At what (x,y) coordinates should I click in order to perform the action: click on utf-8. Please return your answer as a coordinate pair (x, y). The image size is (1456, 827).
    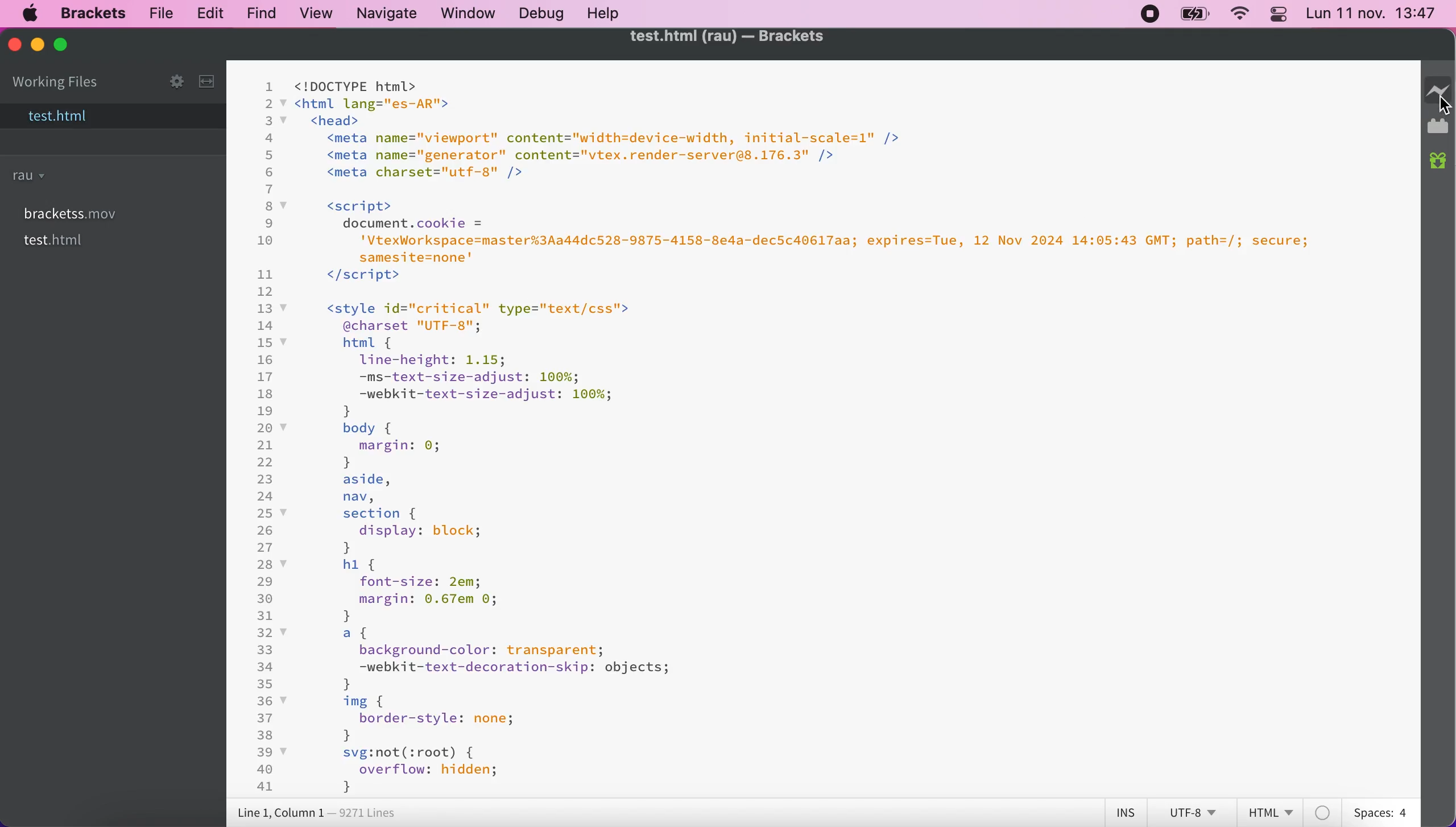
    Looking at the image, I should click on (1193, 812).